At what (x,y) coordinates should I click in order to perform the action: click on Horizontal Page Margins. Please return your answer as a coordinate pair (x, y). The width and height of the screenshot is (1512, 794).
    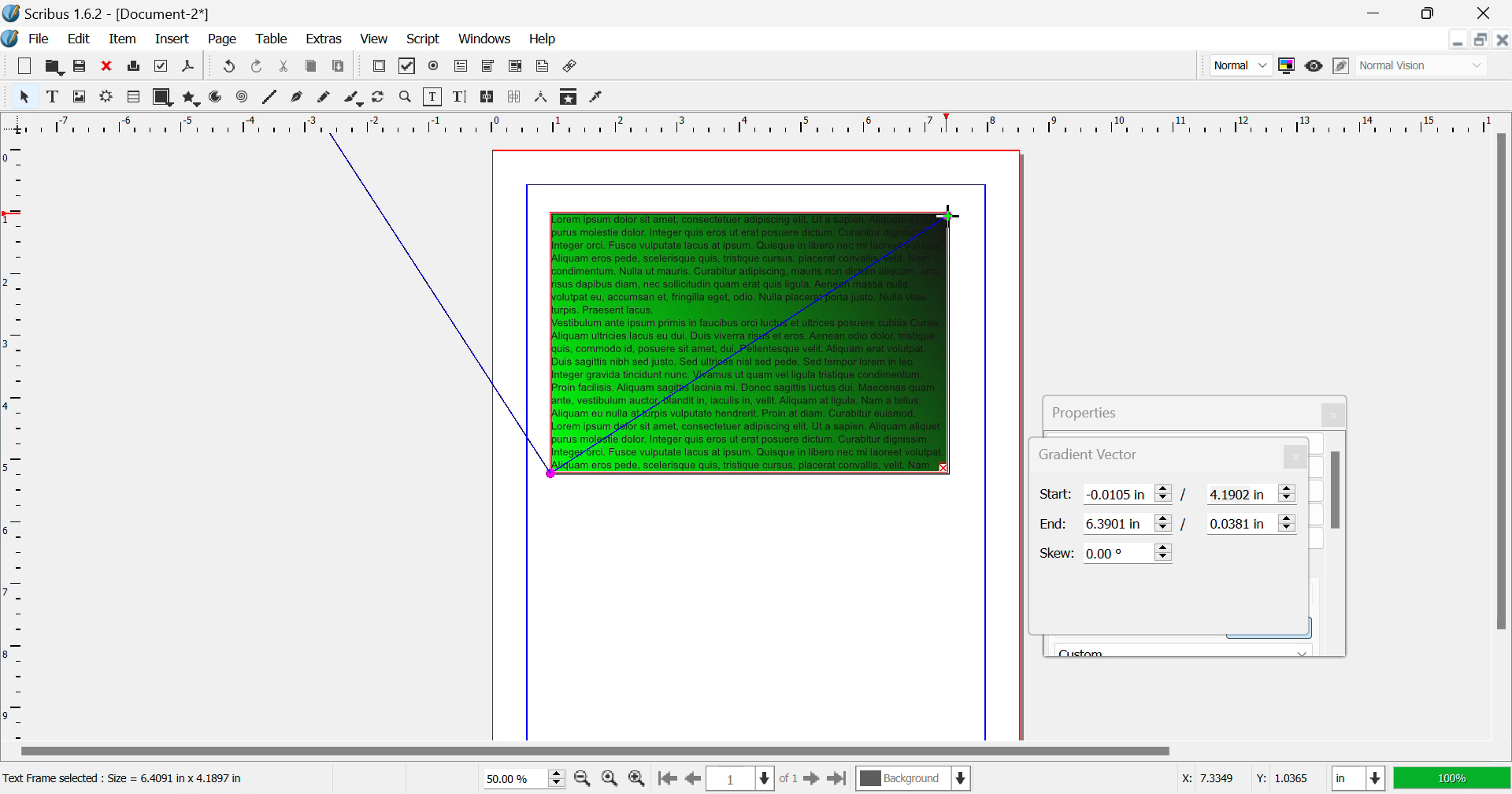
    Looking at the image, I should click on (15, 439).